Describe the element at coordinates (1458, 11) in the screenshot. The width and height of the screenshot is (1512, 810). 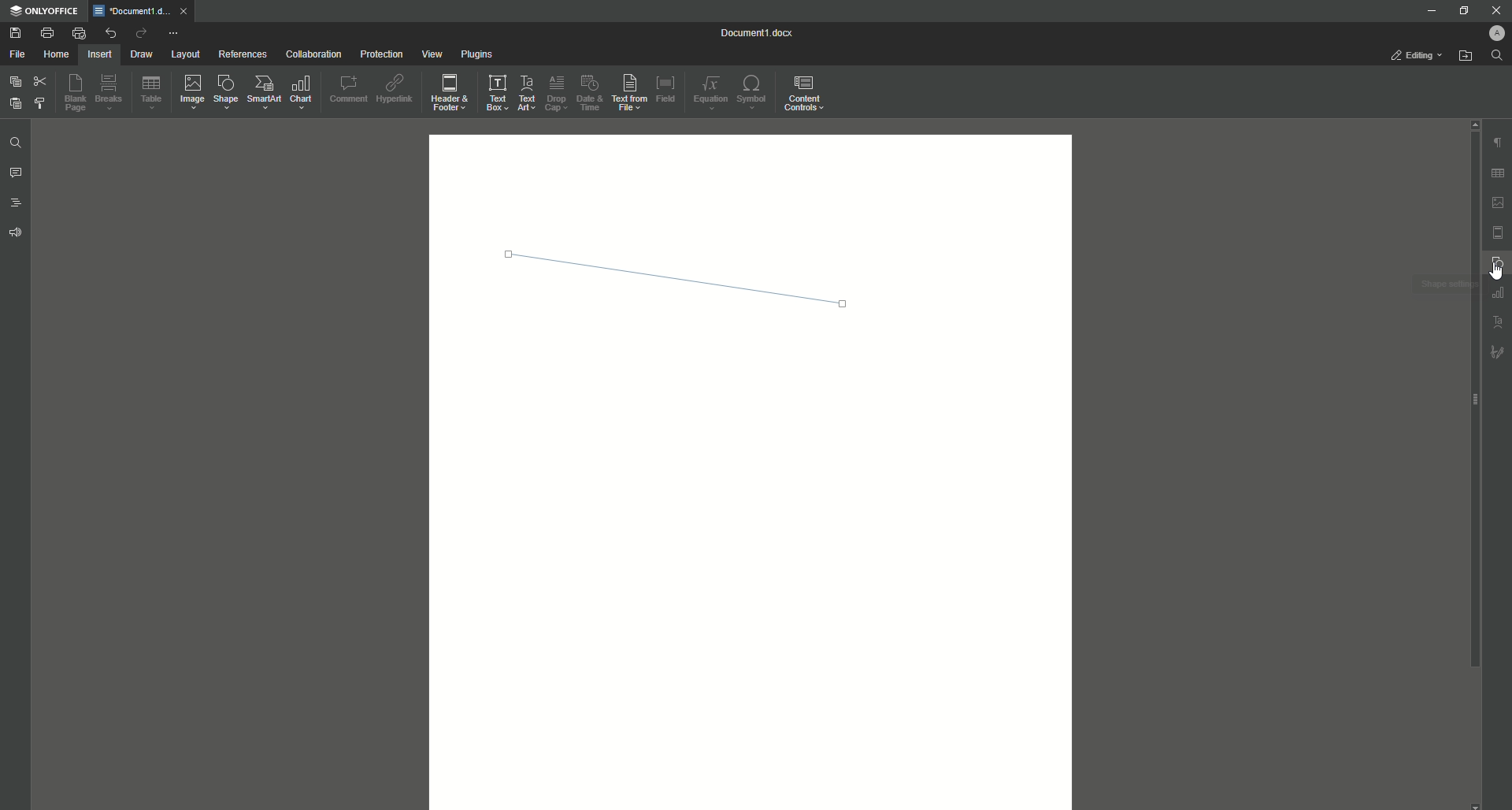
I see `Restore` at that location.